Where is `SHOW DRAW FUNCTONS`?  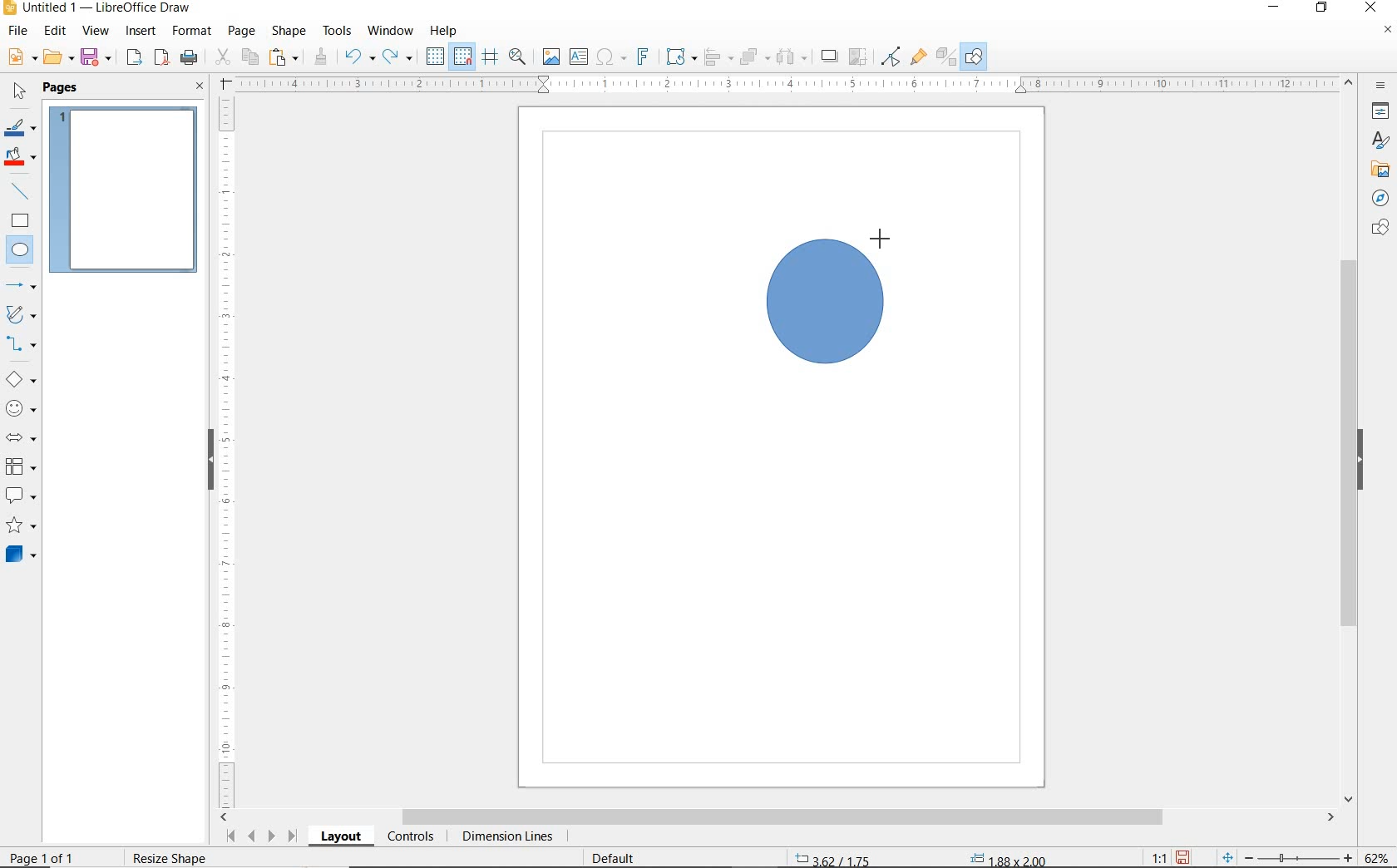 SHOW DRAW FUNCTONS is located at coordinates (974, 57).